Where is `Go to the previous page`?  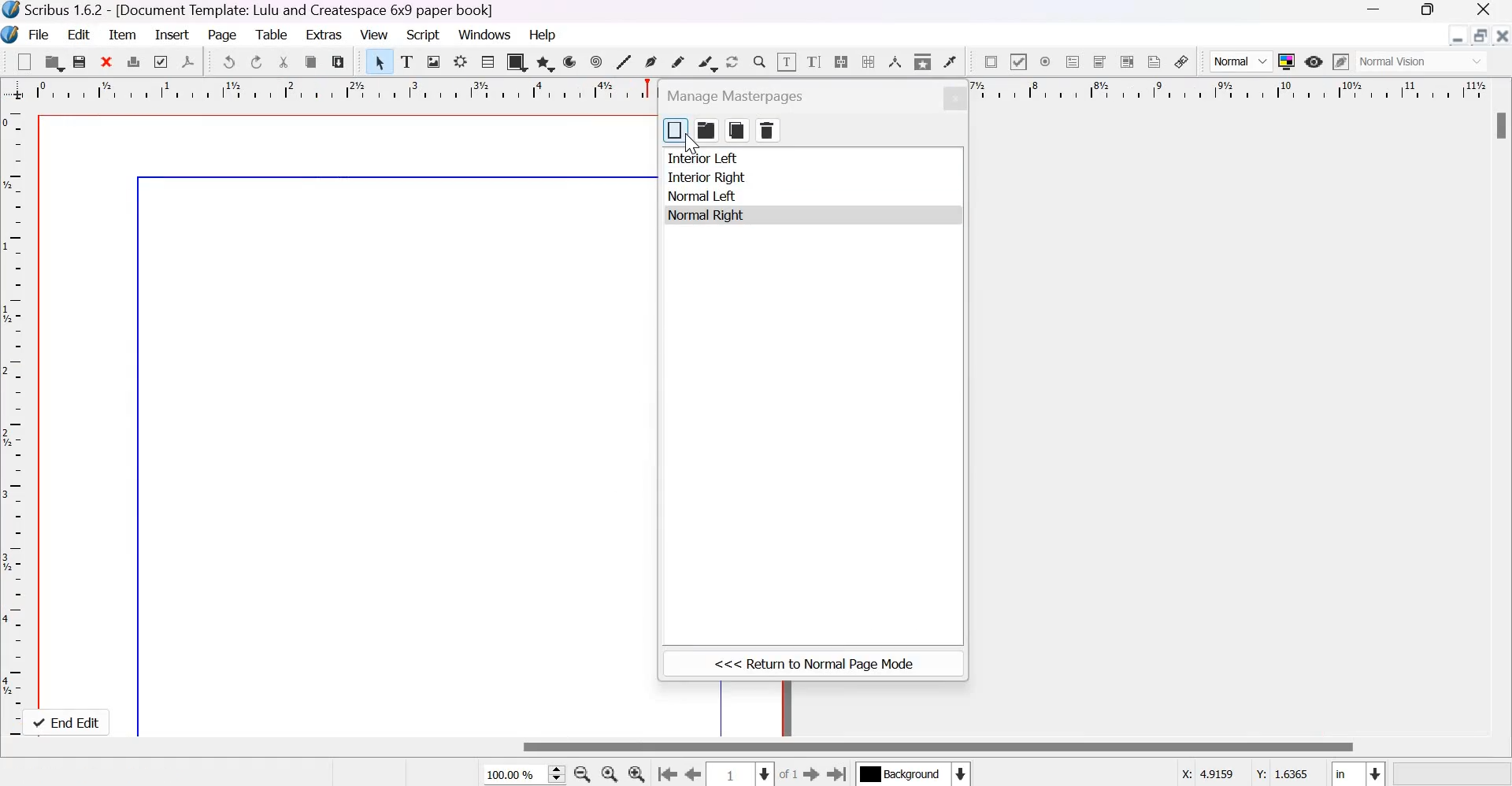
Go to the previous page is located at coordinates (690, 773).